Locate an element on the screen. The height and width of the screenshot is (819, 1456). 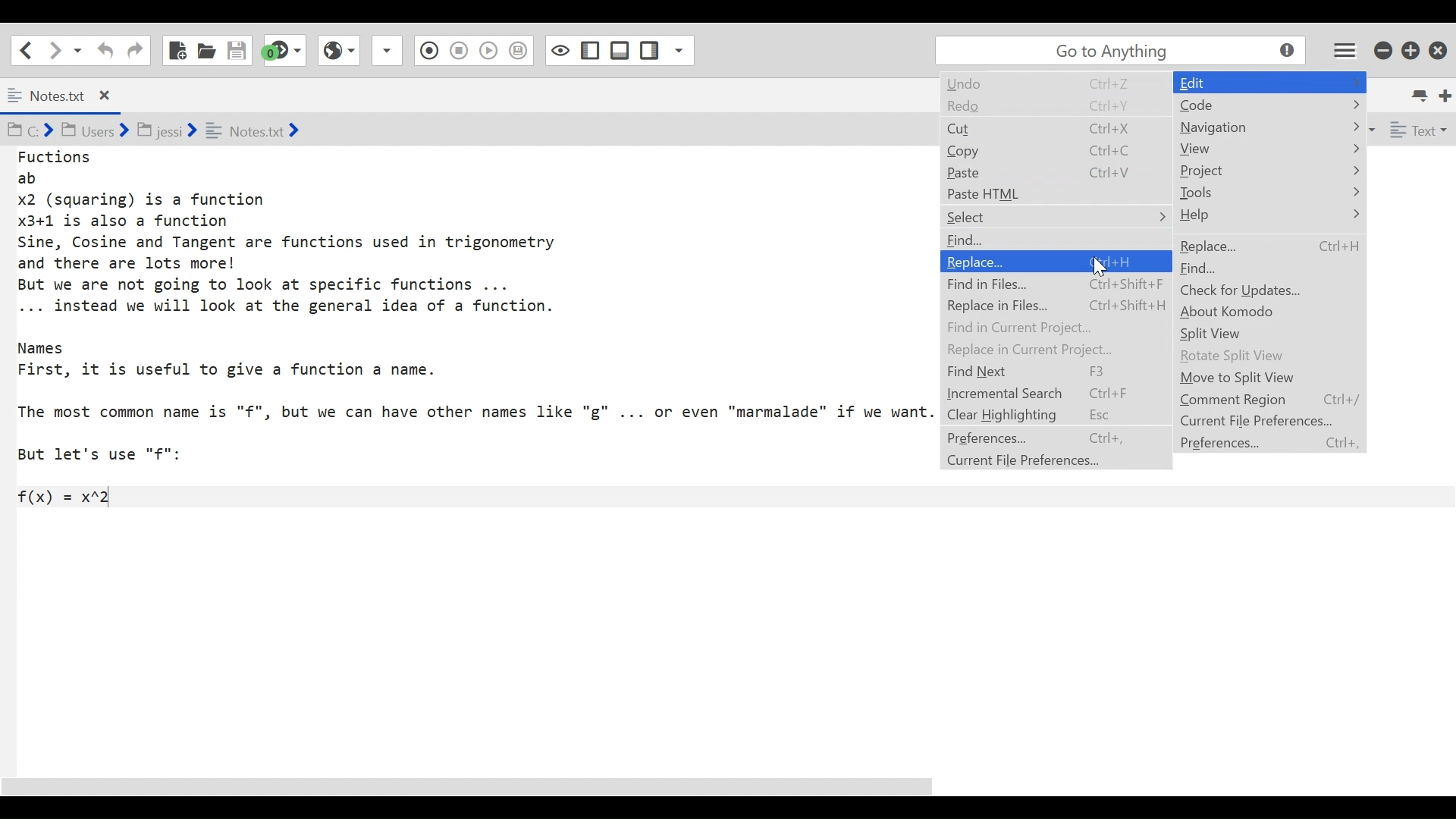
Comment Region Ctrl+/ is located at coordinates (1277, 399).